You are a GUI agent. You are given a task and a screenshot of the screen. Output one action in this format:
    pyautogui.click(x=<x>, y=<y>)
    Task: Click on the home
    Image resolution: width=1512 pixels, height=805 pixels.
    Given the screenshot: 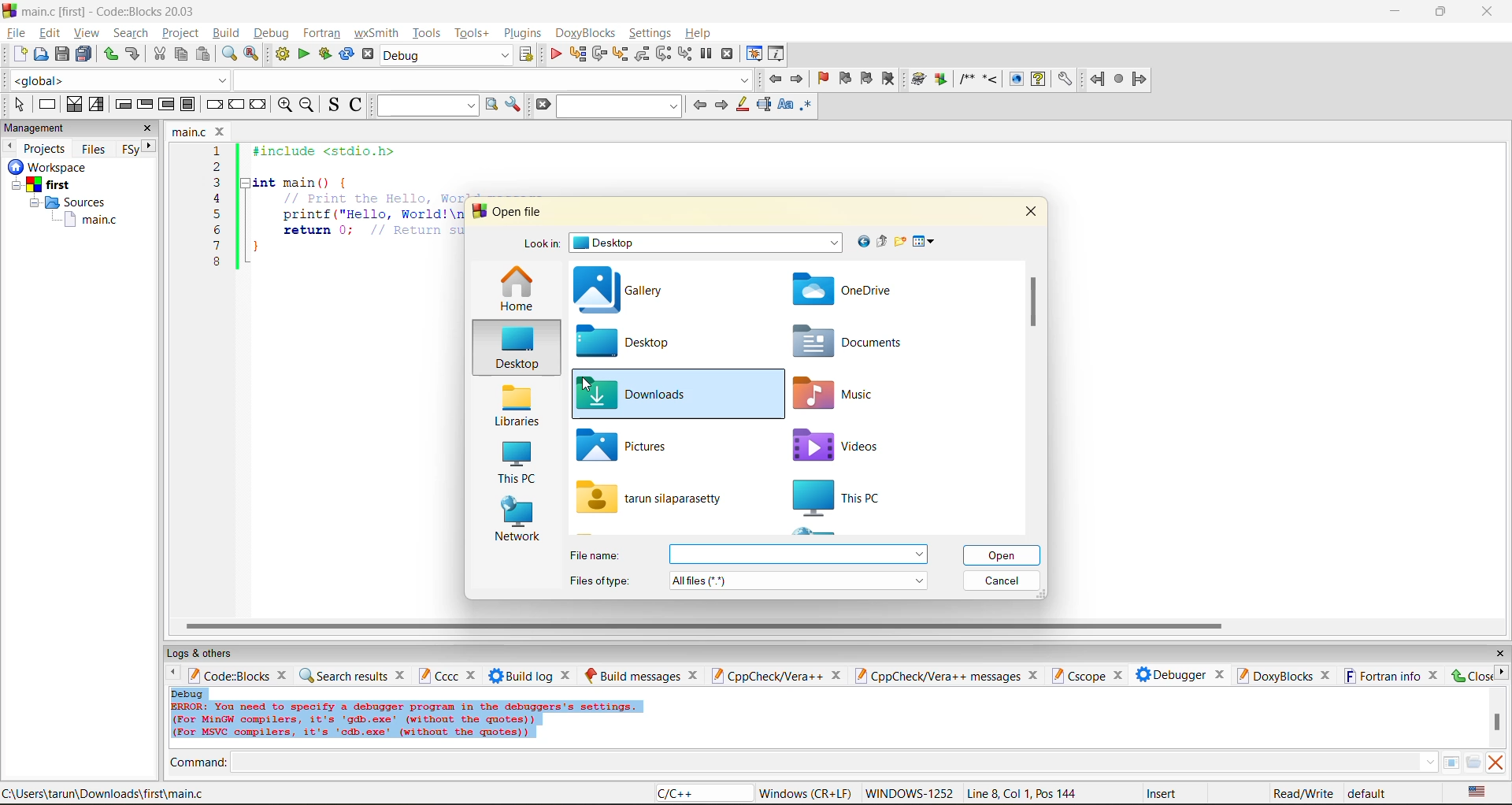 What is the action you would take?
    pyautogui.click(x=517, y=290)
    